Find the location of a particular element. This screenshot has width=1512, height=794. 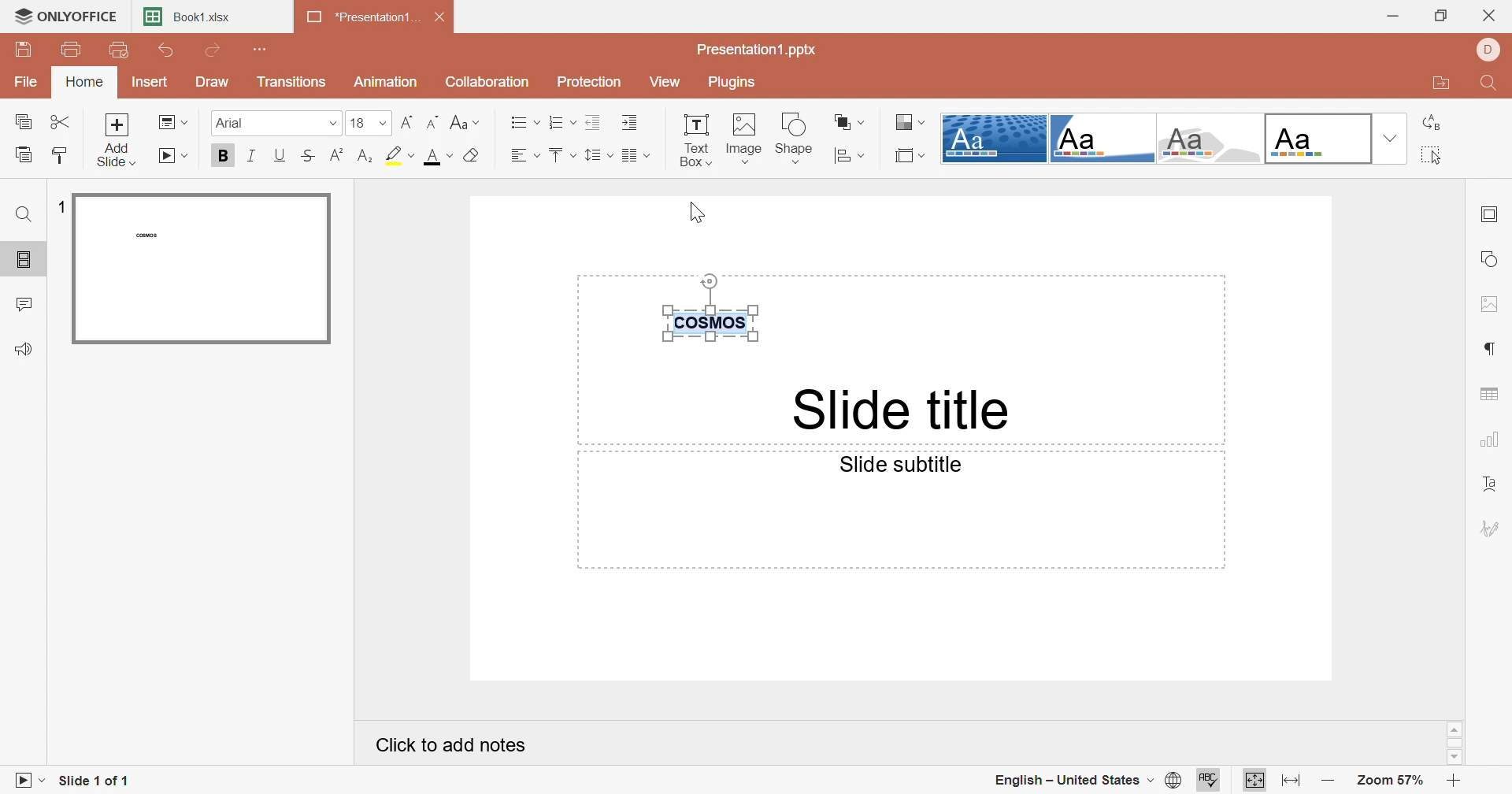

Bullets is located at coordinates (524, 123).